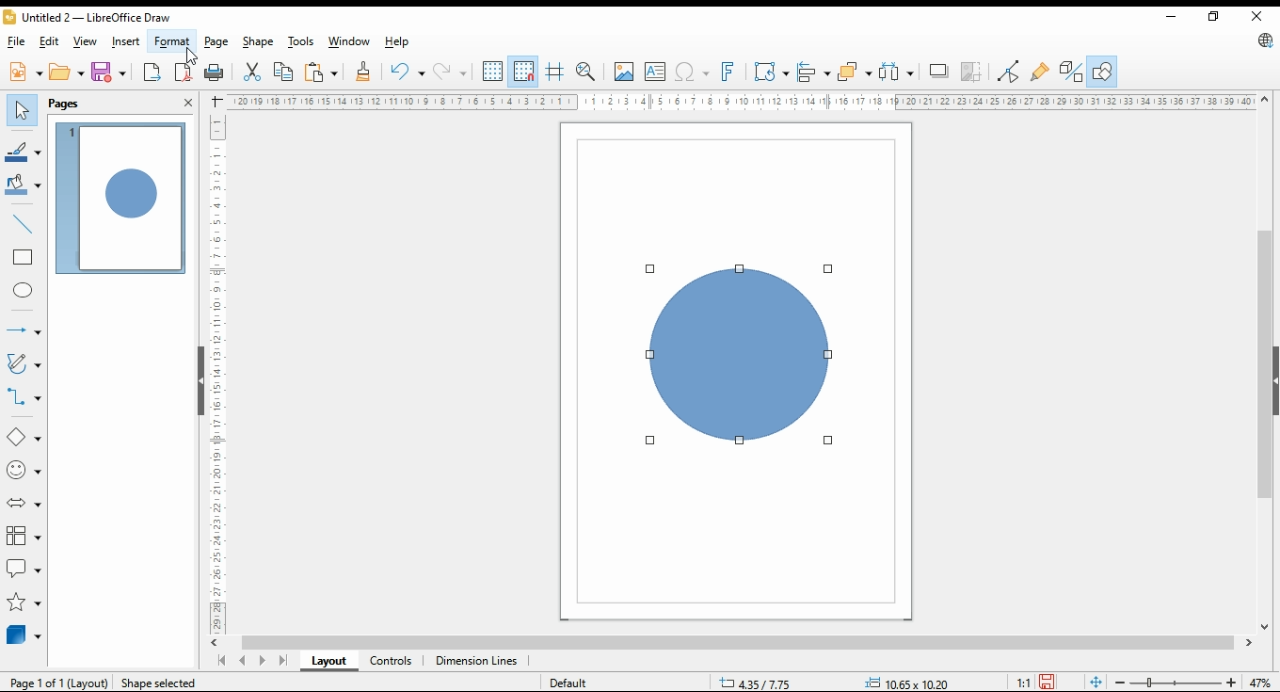 This screenshot has width=1280, height=692. I want to click on last page, so click(281, 660).